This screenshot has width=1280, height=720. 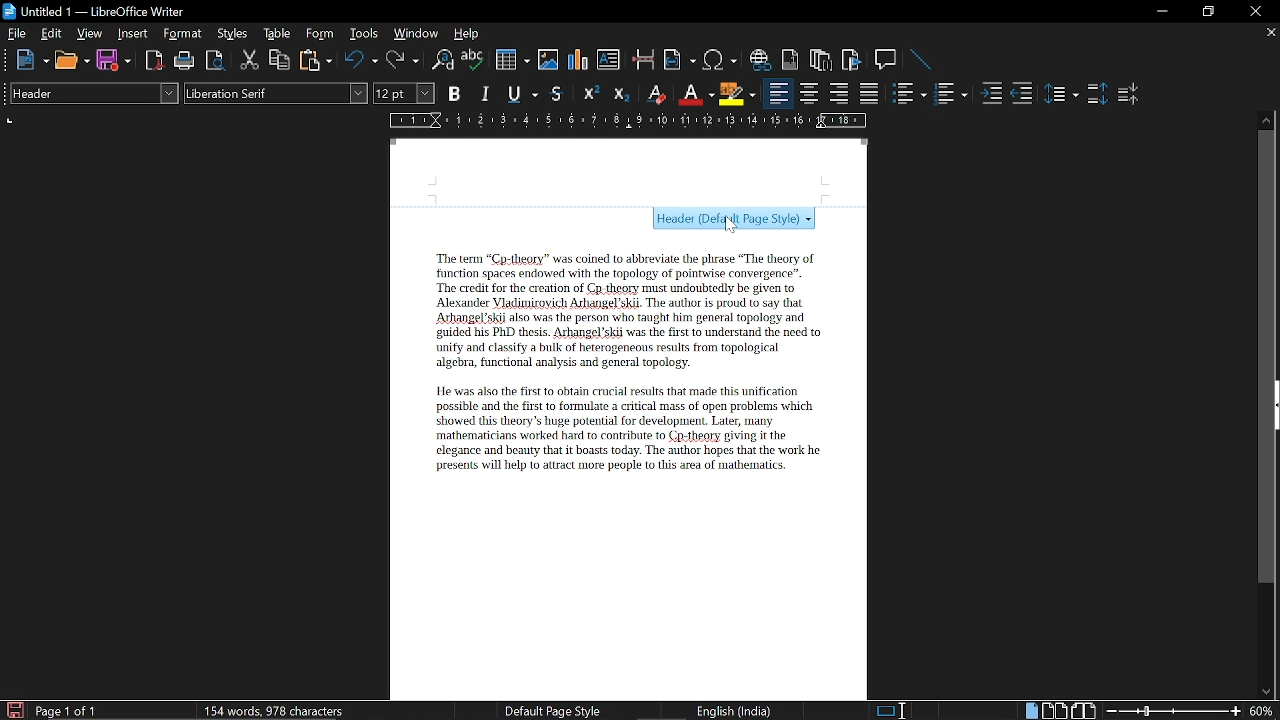 What do you see at coordinates (13, 710) in the screenshot?
I see `Save` at bounding box center [13, 710].